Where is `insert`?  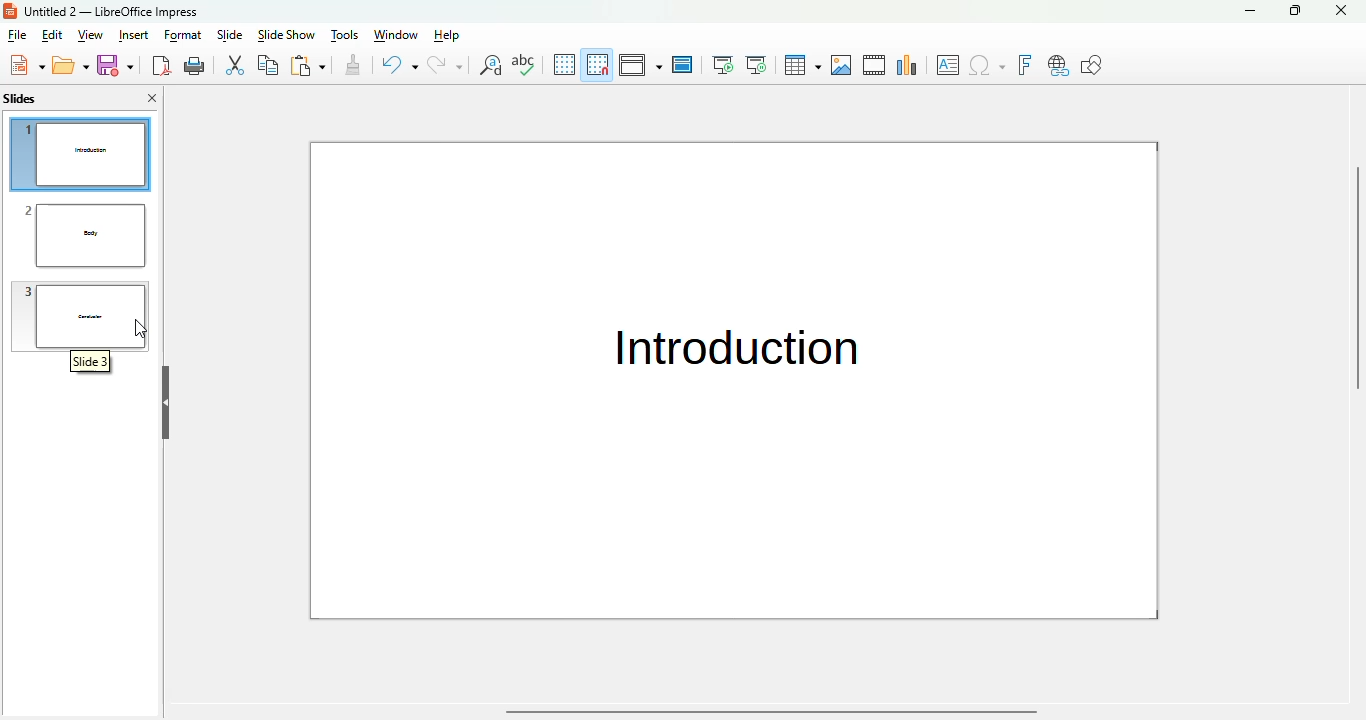
insert is located at coordinates (134, 35).